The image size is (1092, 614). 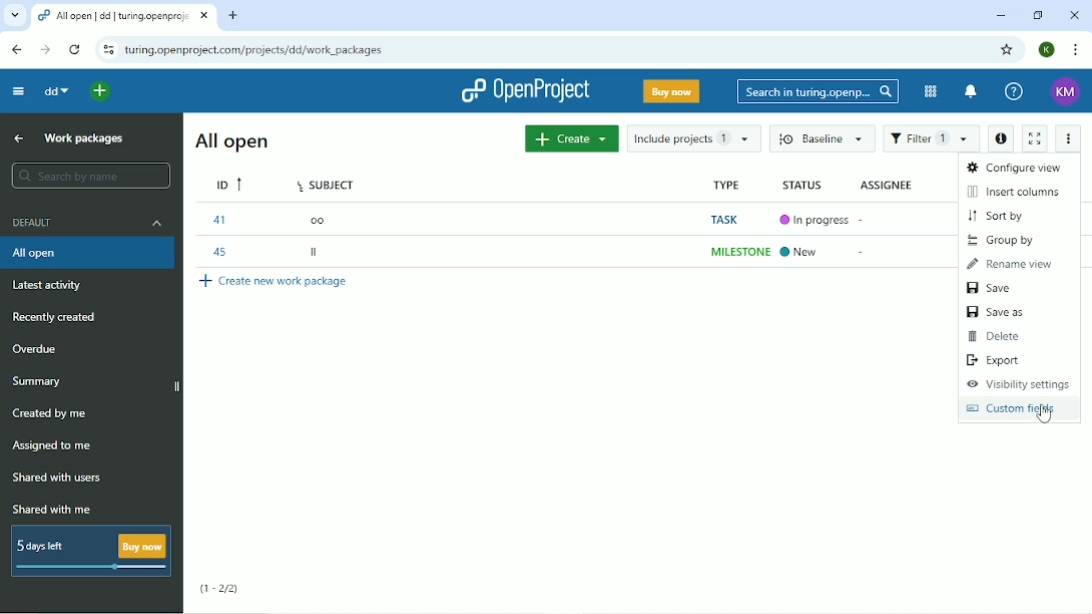 I want to click on Search by name, so click(x=93, y=177).